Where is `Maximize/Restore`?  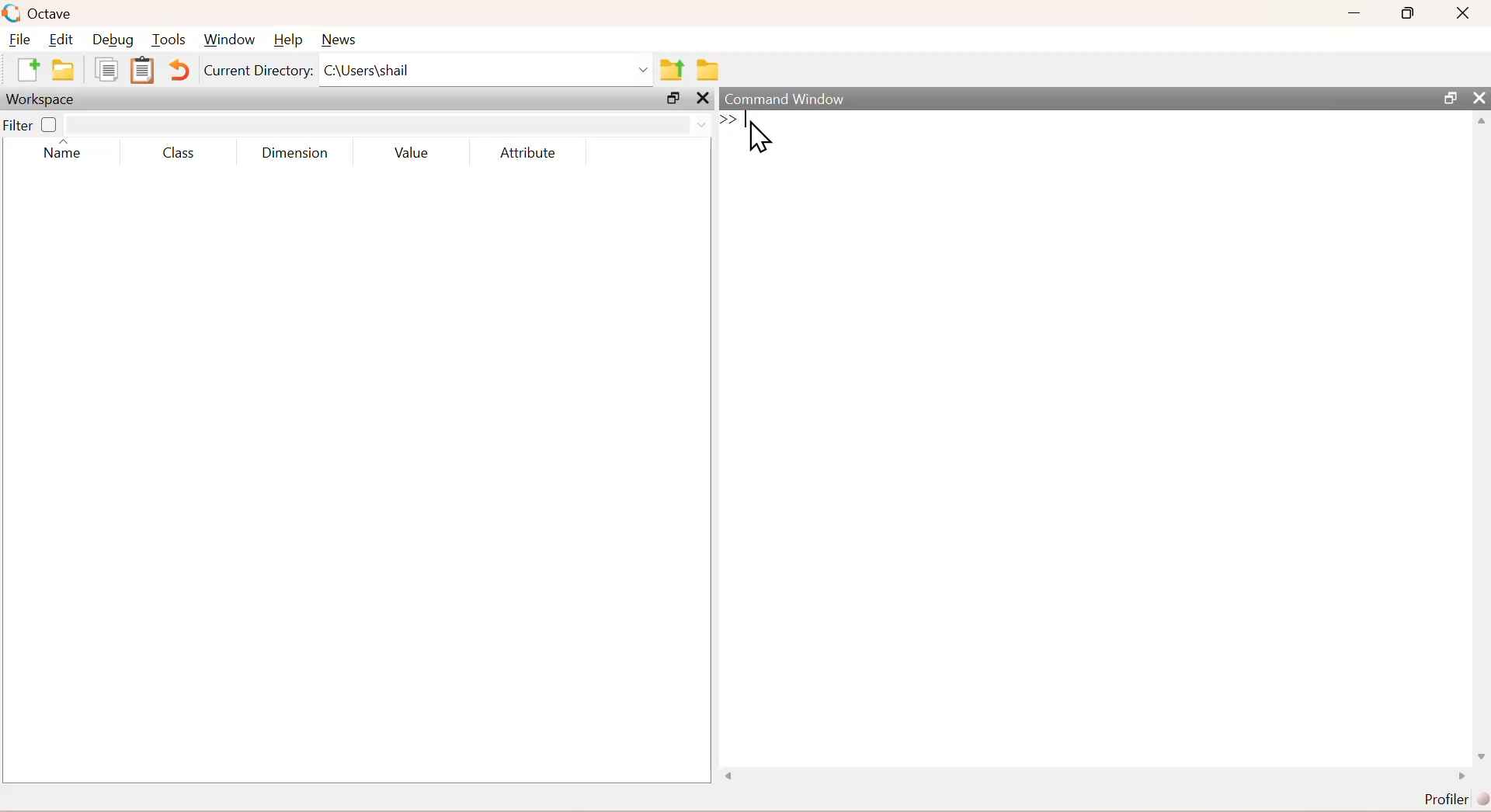
Maximize/Restore is located at coordinates (1410, 13).